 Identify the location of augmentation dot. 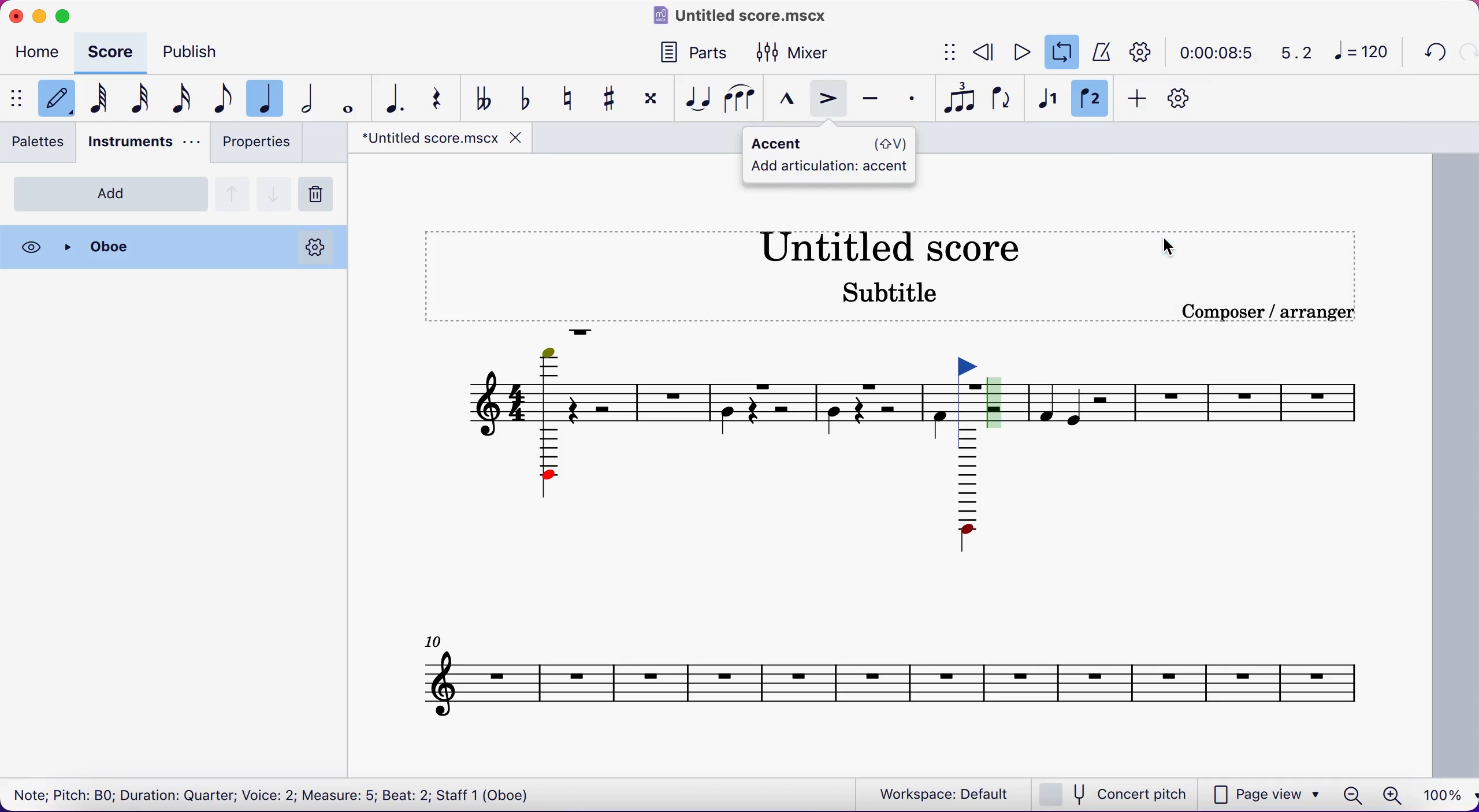
(392, 98).